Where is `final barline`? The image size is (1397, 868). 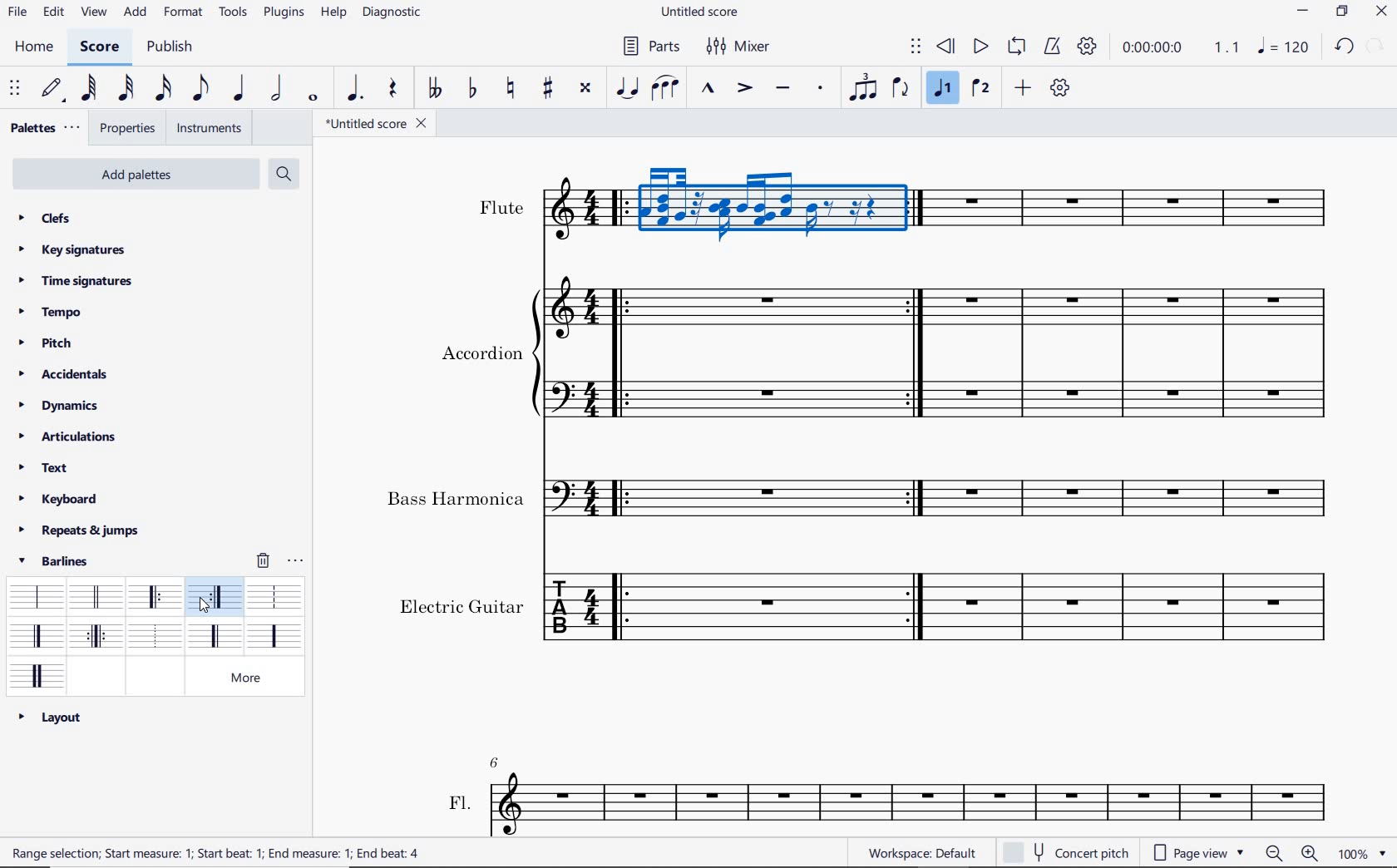 final barline is located at coordinates (37, 635).